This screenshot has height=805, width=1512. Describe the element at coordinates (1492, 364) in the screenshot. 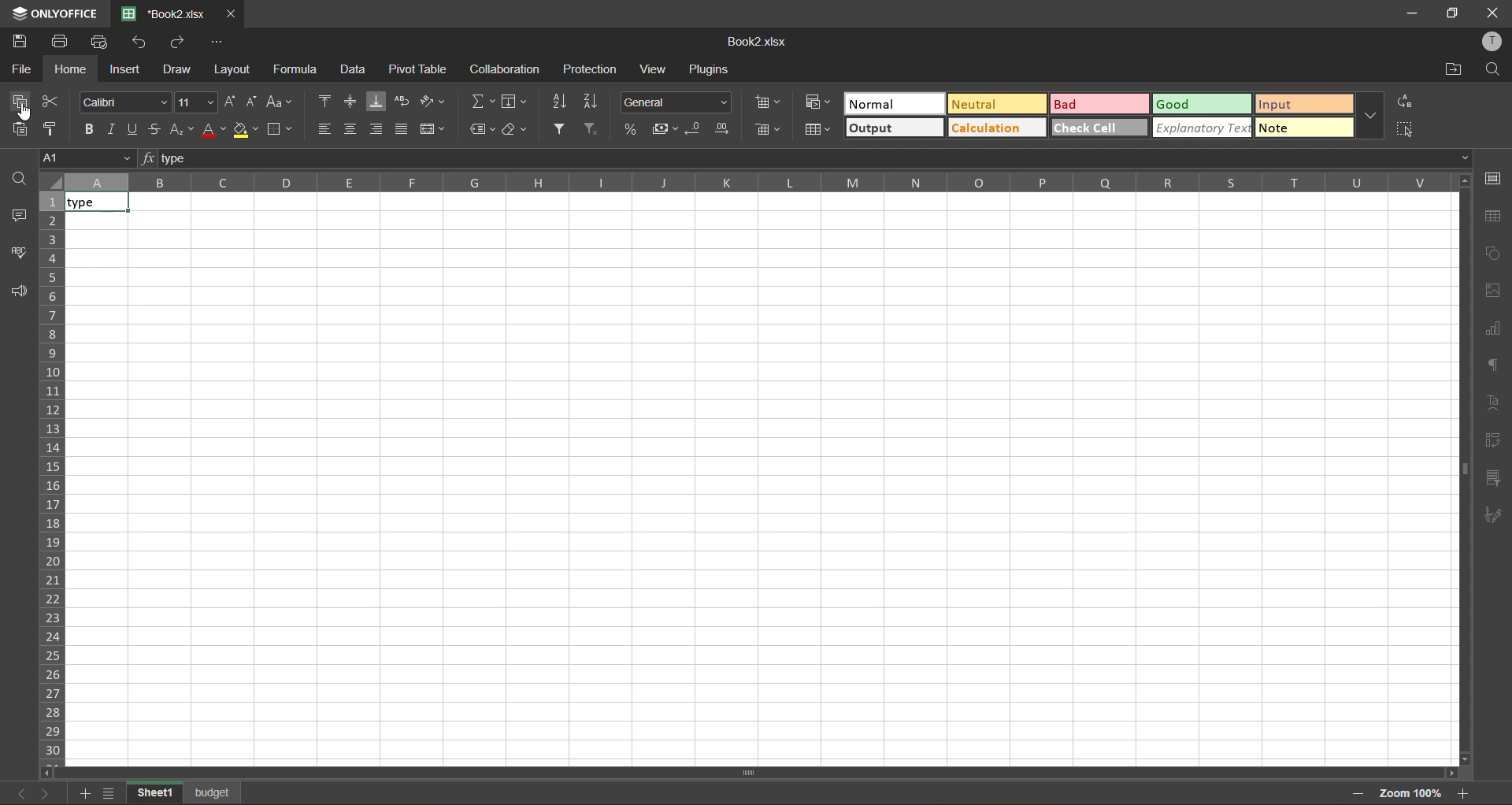

I see `paragraph` at that location.